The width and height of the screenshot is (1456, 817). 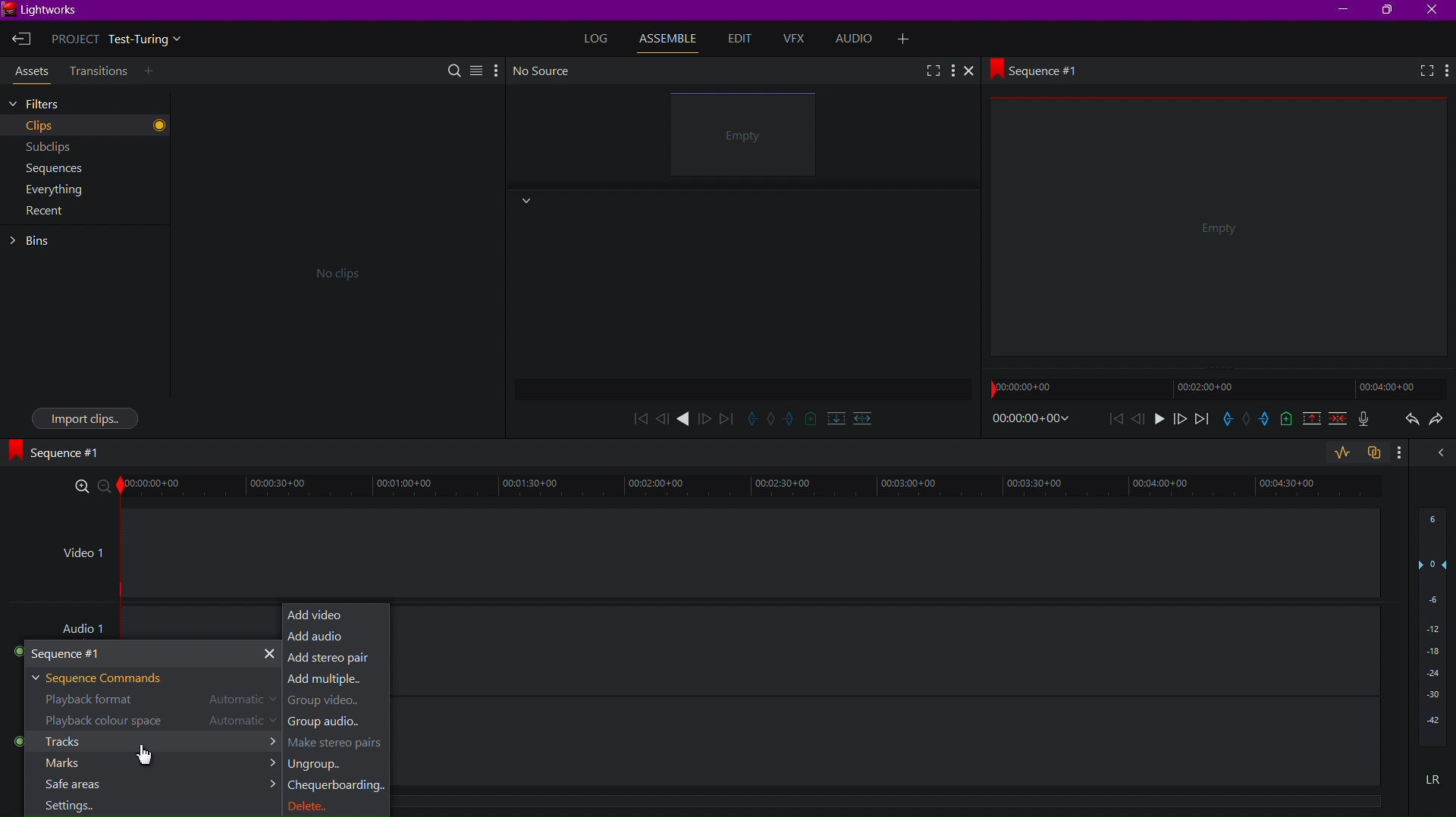 What do you see at coordinates (772, 420) in the screenshot?
I see `roll edit` at bounding box center [772, 420].